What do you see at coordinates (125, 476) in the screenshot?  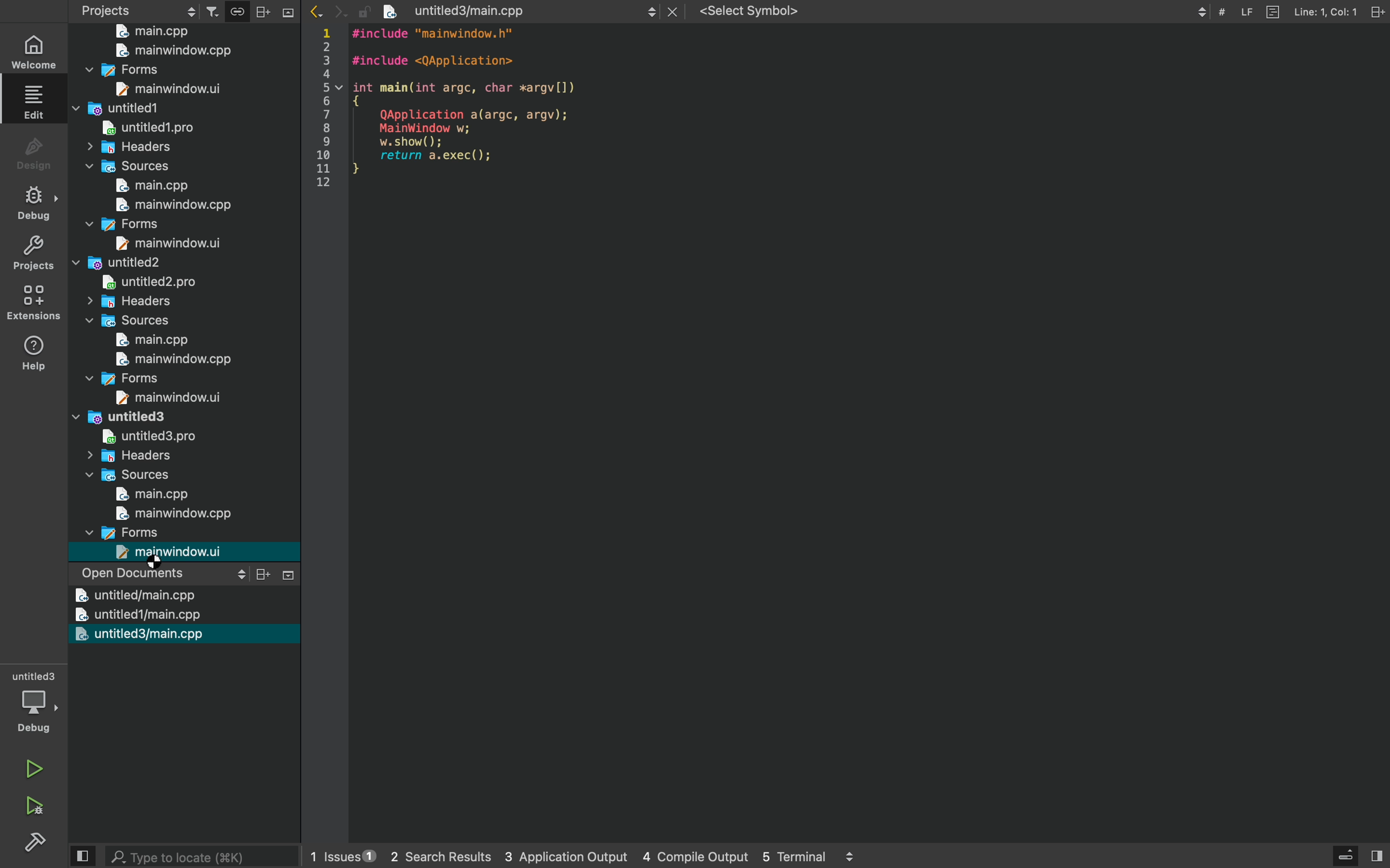 I see `headers` at bounding box center [125, 476].